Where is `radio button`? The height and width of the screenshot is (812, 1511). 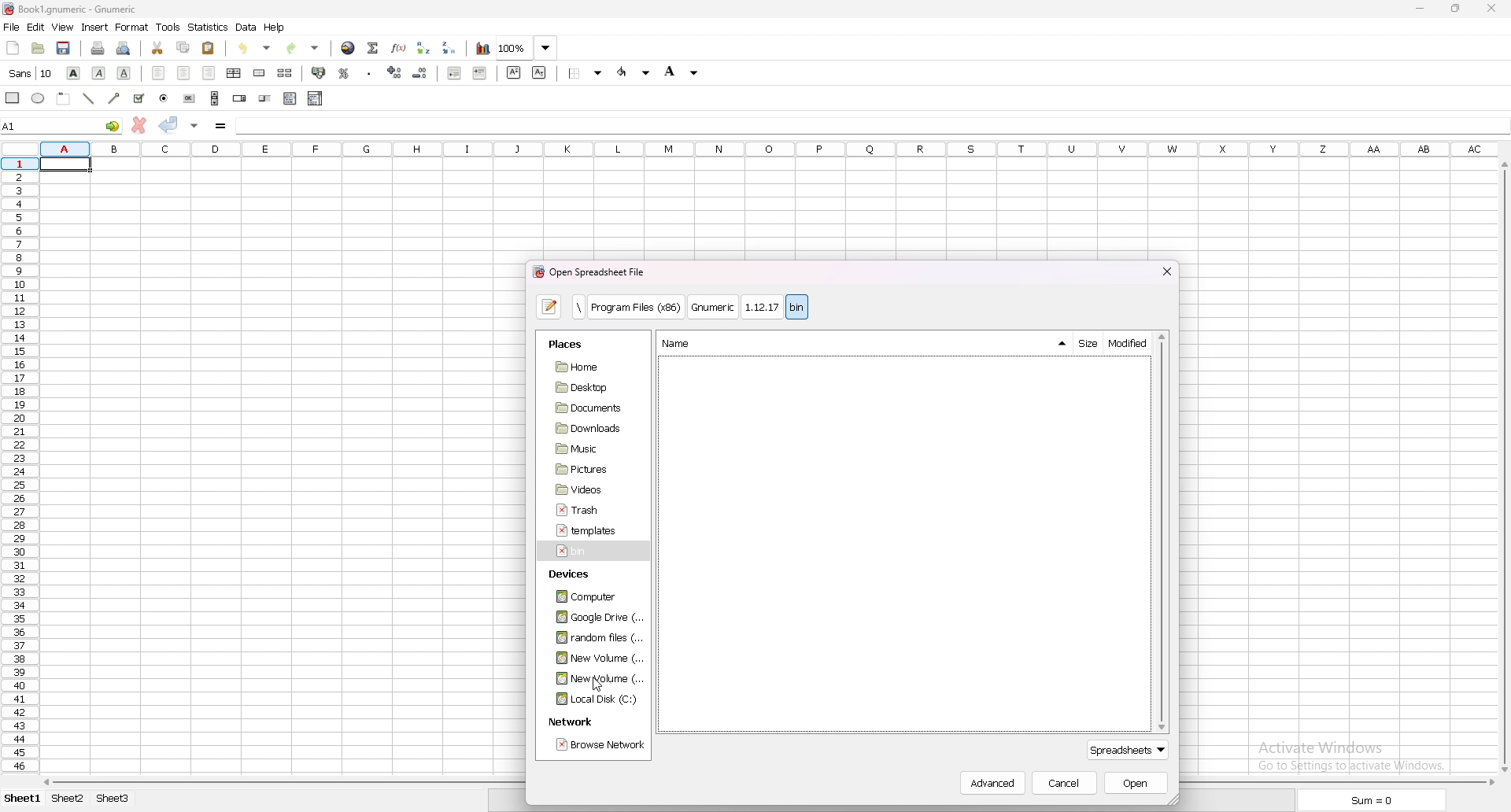
radio button is located at coordinates (164, 98).